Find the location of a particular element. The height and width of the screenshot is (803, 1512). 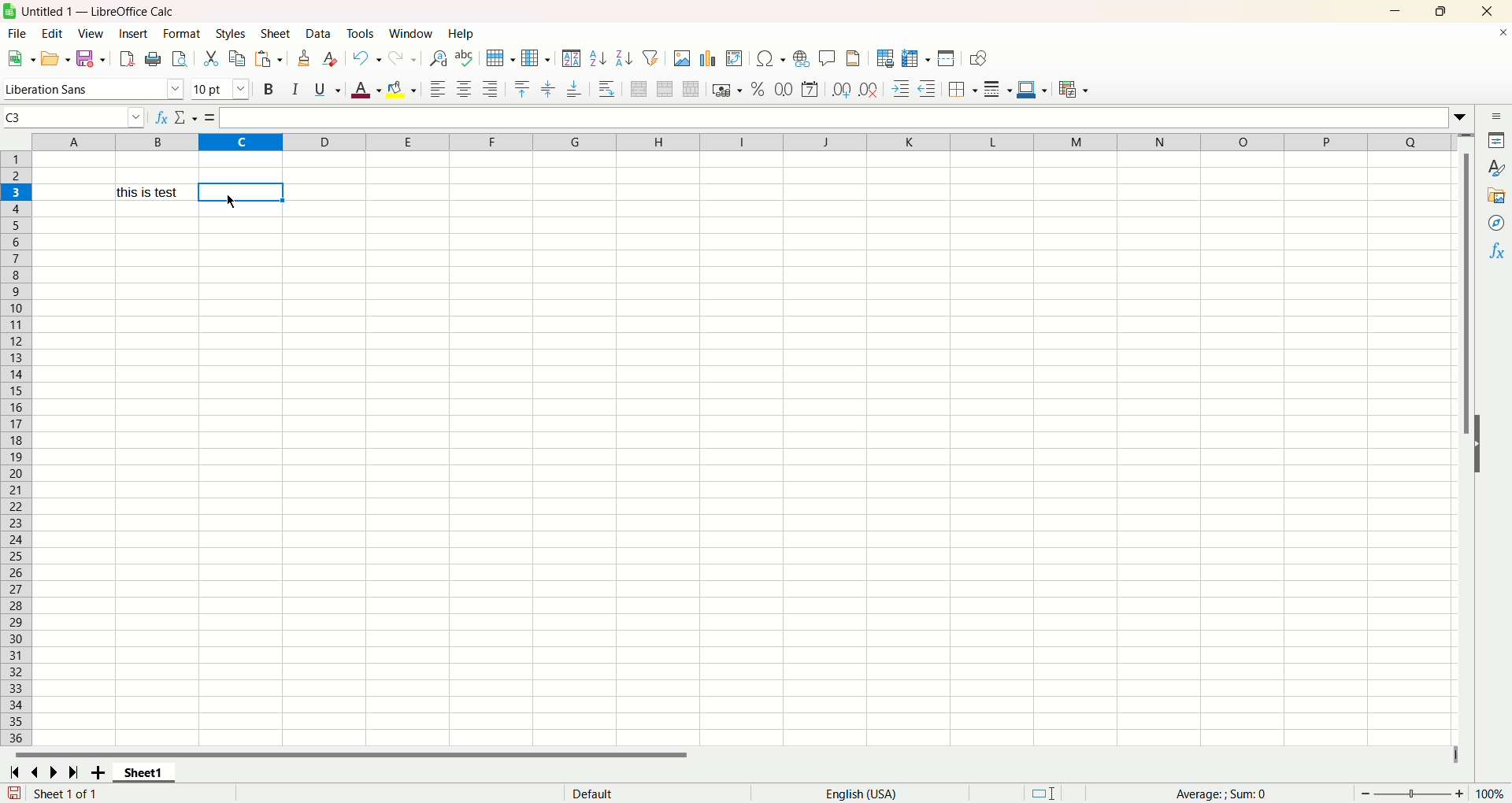

close document is located at coordinates (1503, 35).